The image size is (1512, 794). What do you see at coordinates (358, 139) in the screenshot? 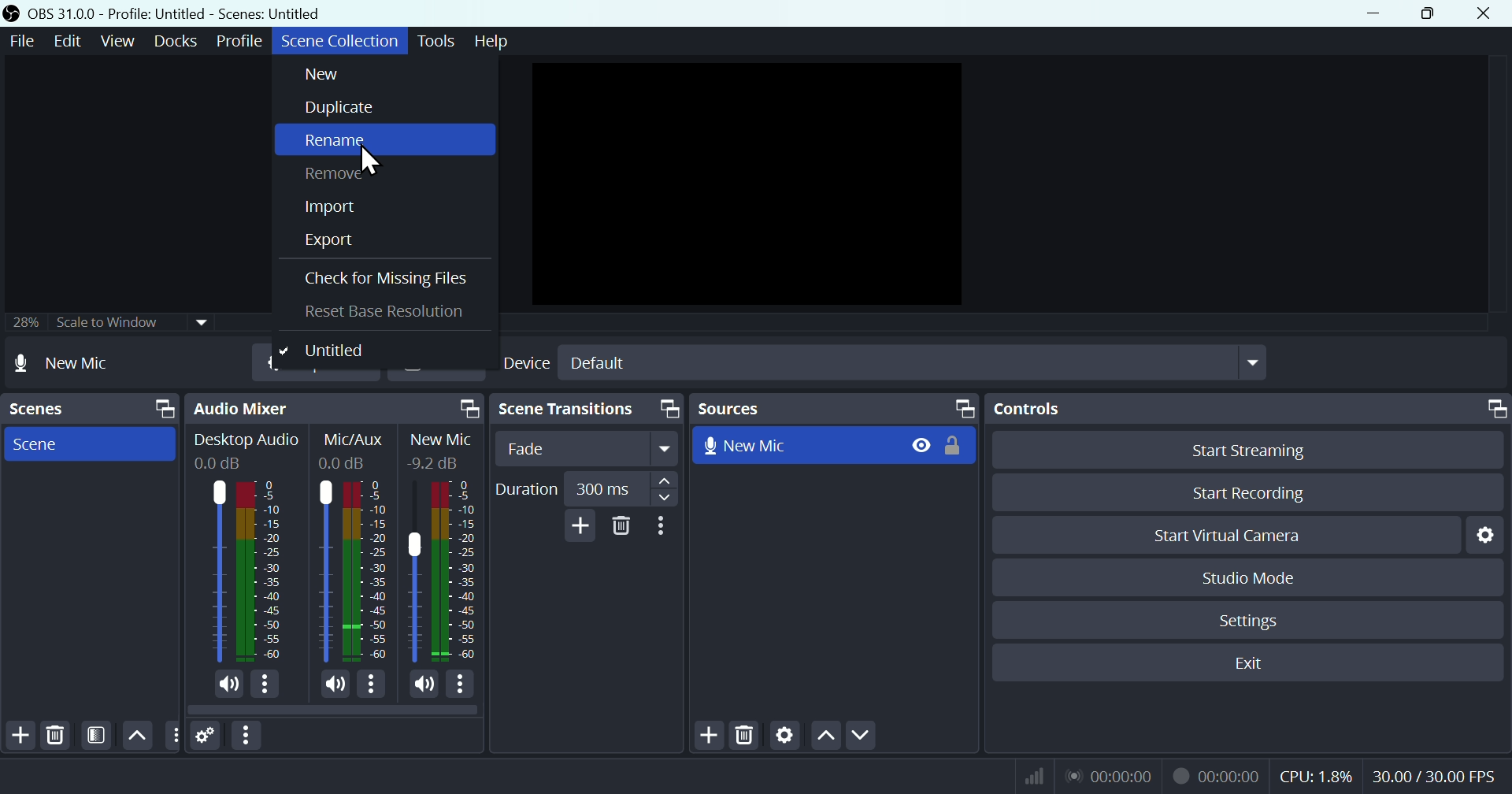
I see `rename` at bounding box center [358, 139].